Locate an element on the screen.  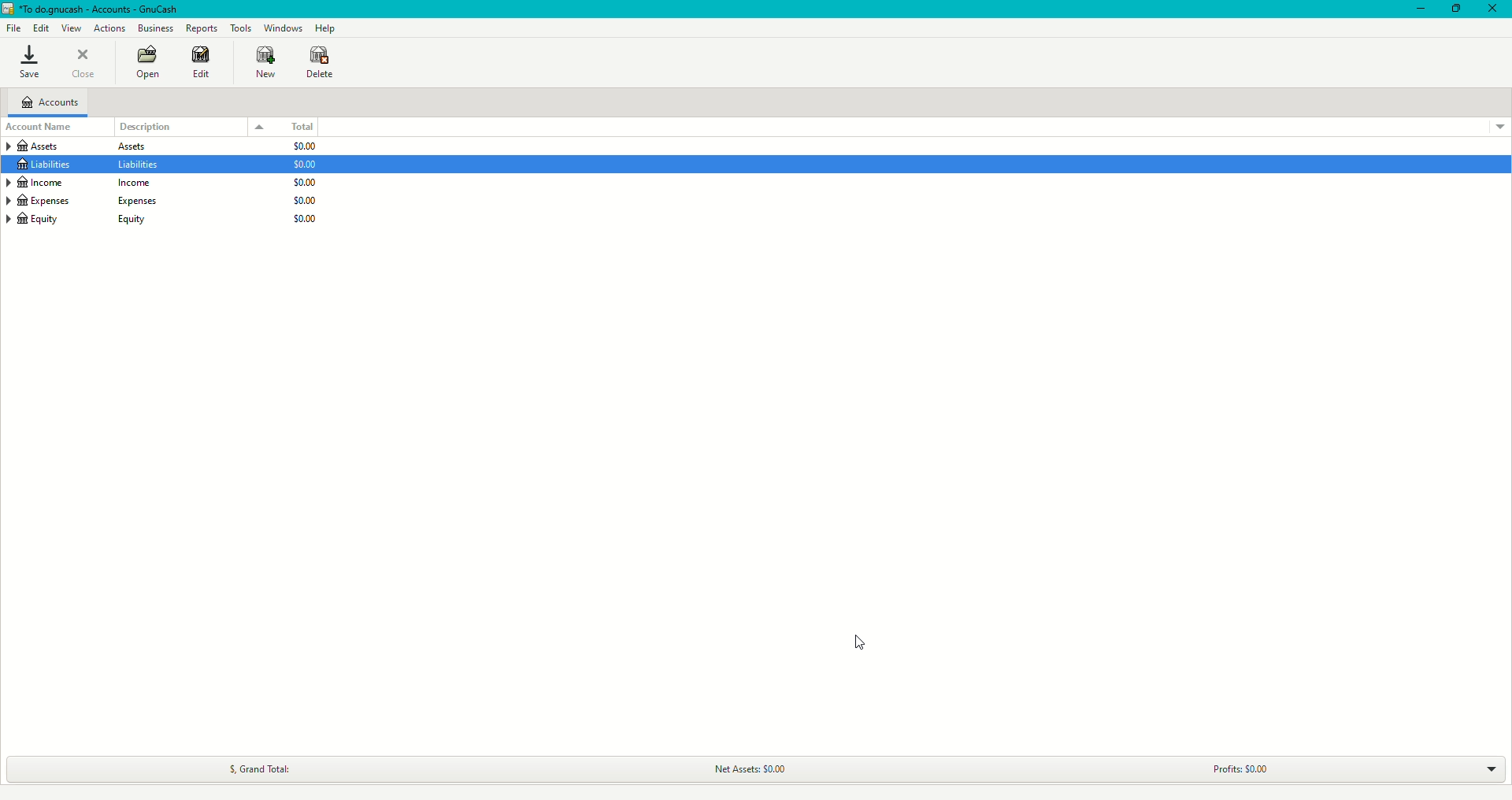
Open is located at coordinates (148, 62).